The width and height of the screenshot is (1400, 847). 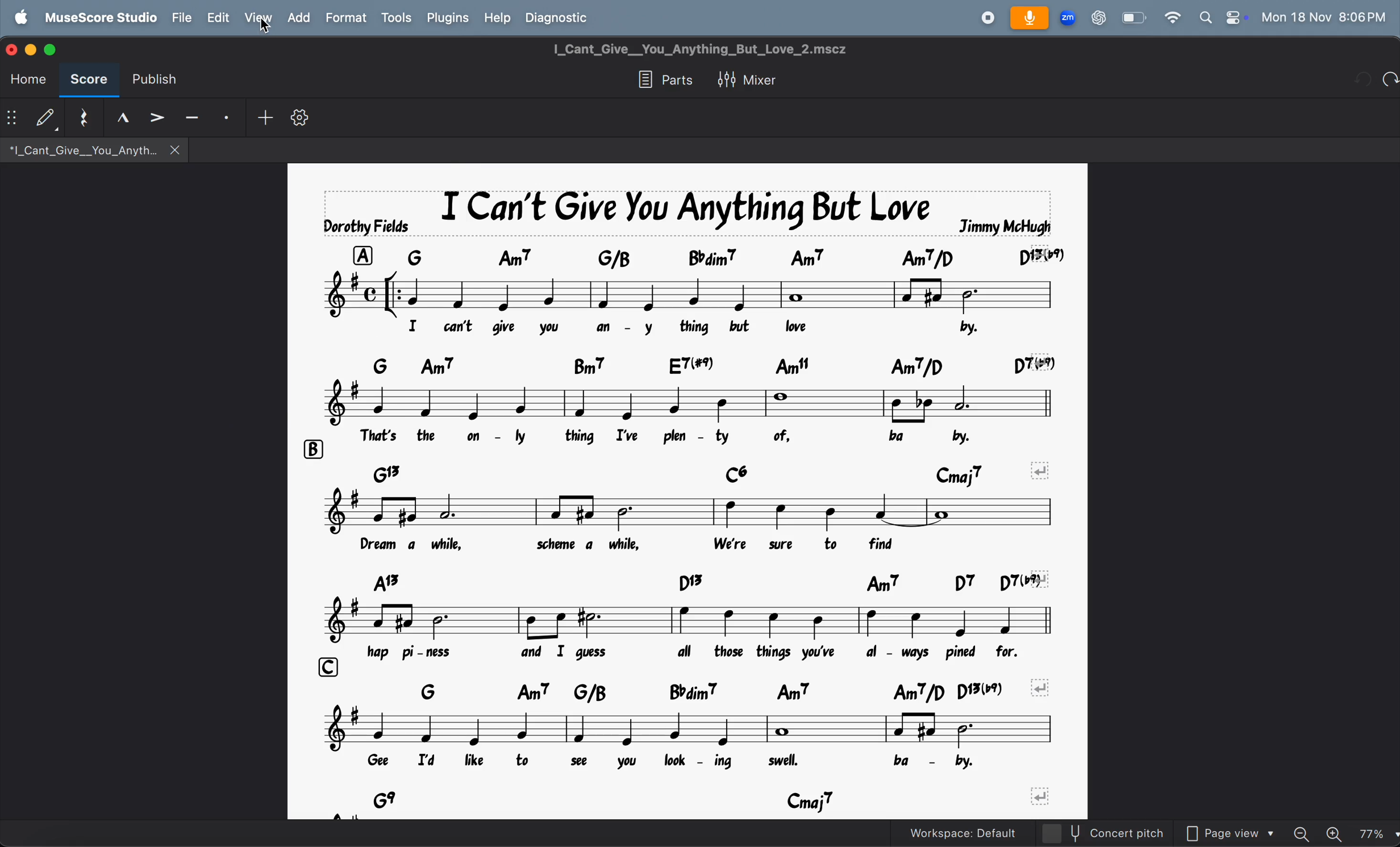 What do you see at coordinates (1335, 833) in the screenshot?
I see `zoom in` at bounding box center [1335, 833].